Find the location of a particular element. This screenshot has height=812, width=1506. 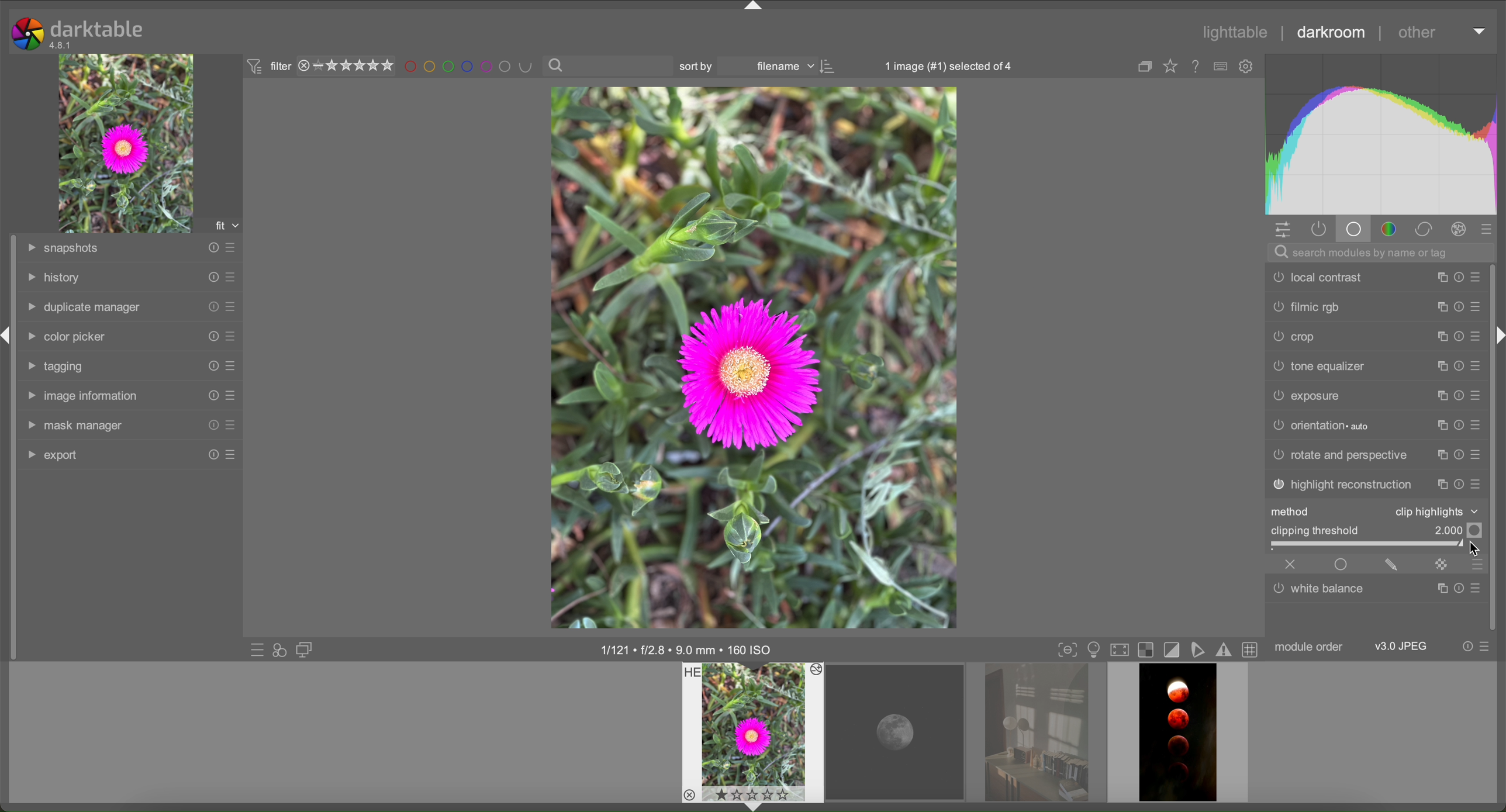

history tab is located at coordinates (54, 278).